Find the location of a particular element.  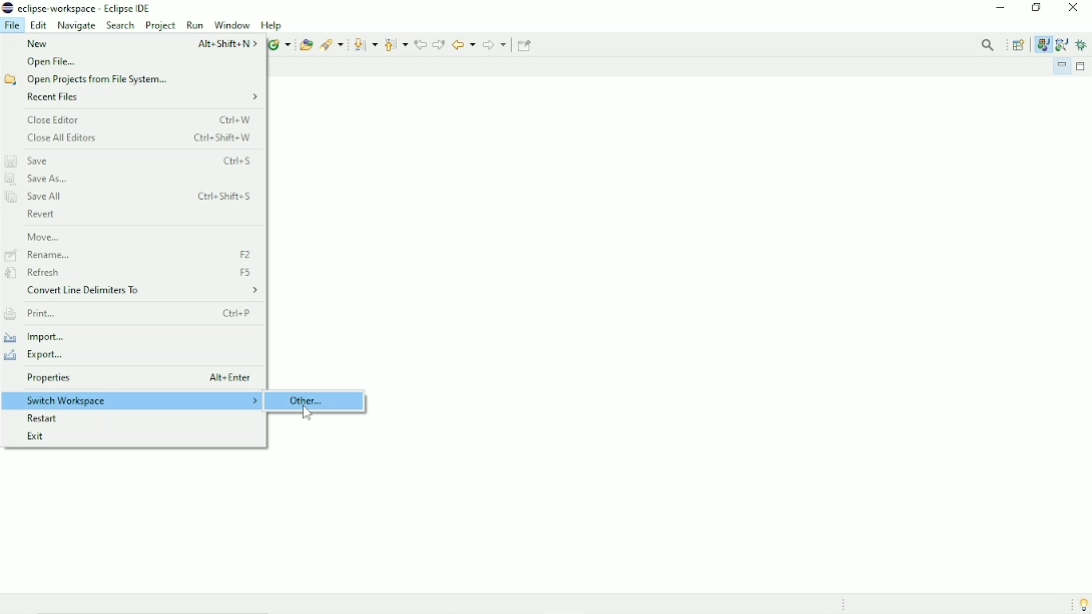

Java browsing is located at coordinates (1062, 44).